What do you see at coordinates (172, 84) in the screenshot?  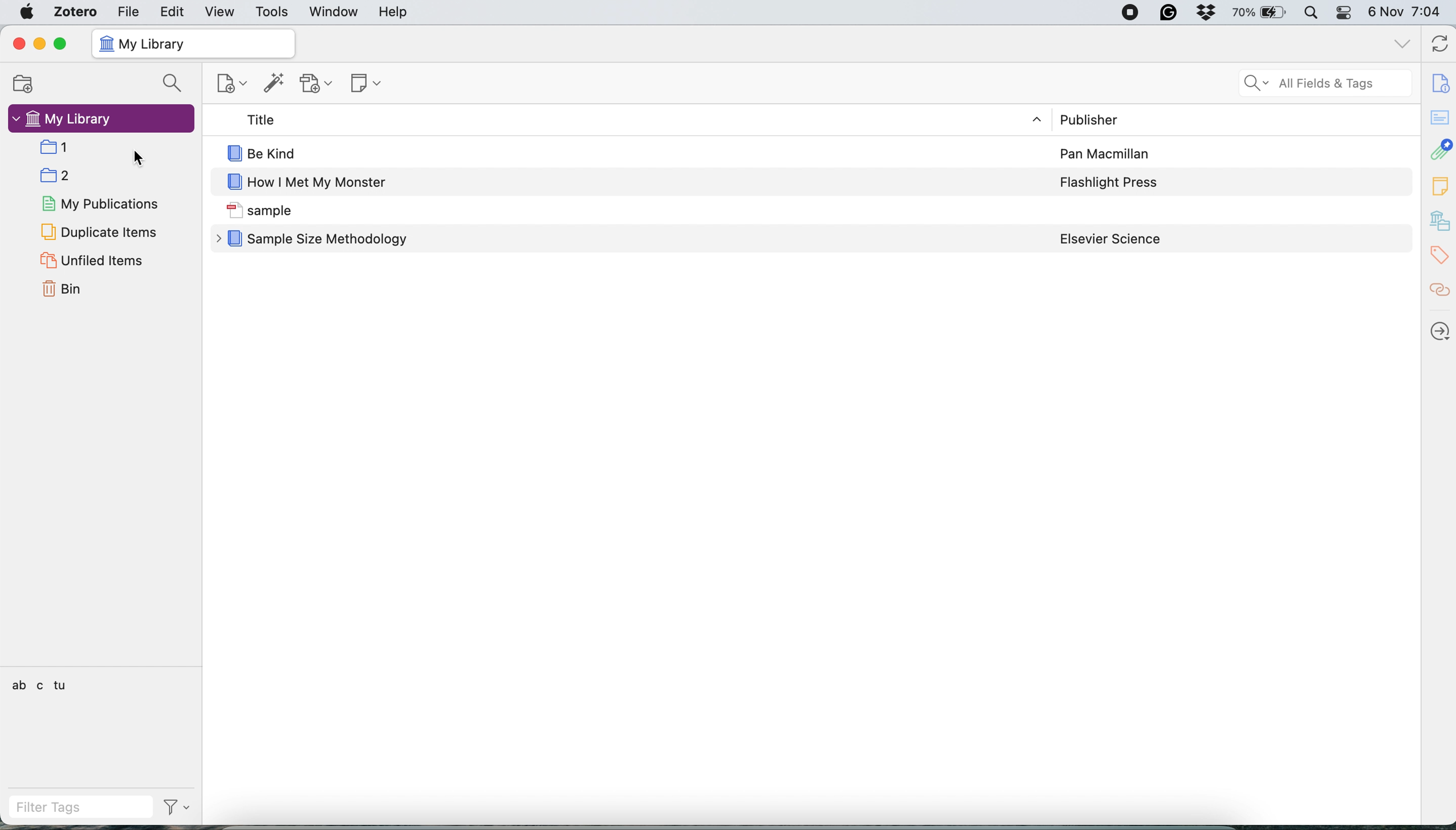 I see `search` at bounding box center [172, 84].